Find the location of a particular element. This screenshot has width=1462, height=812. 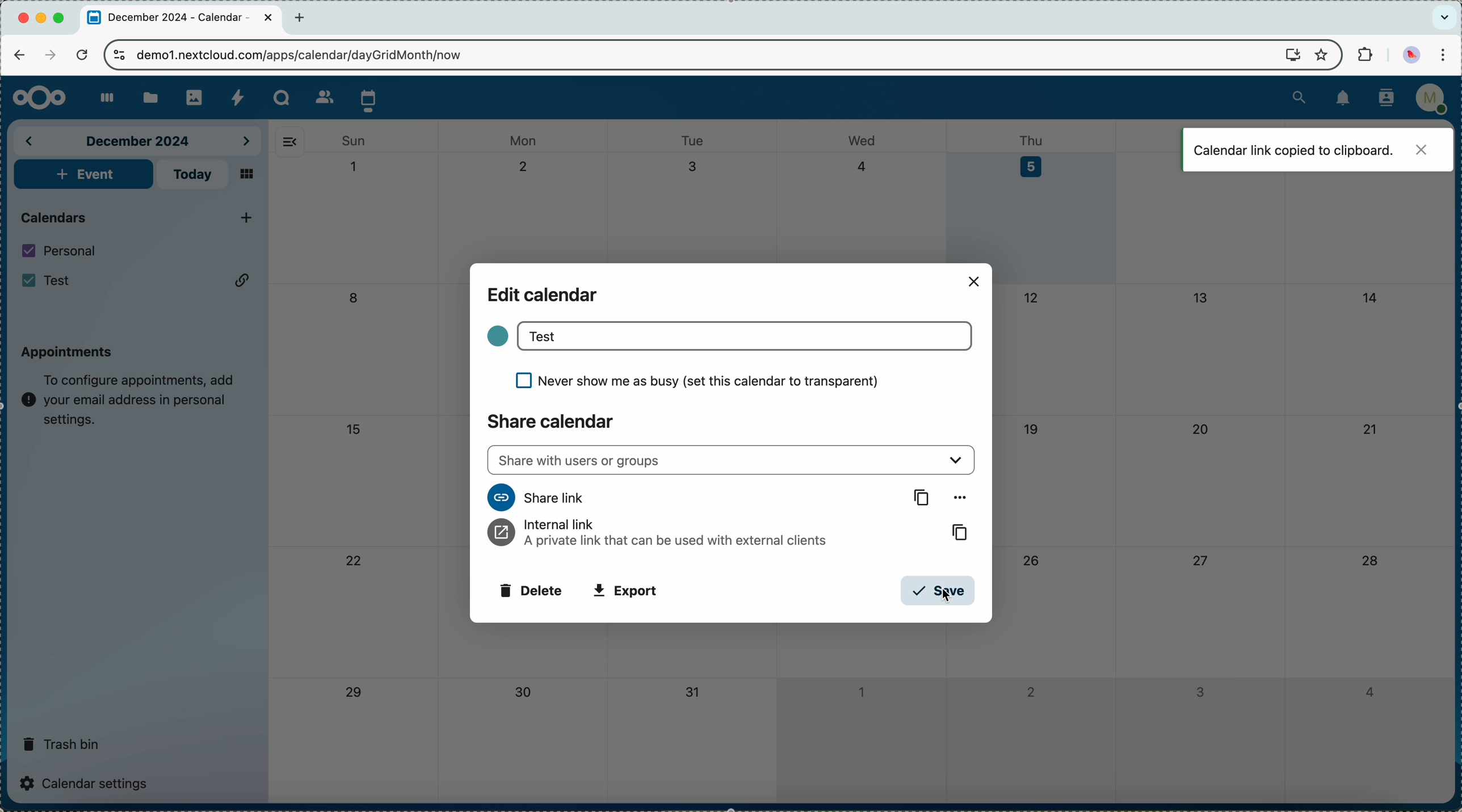

dashboard is located at coordinates (102, 99).